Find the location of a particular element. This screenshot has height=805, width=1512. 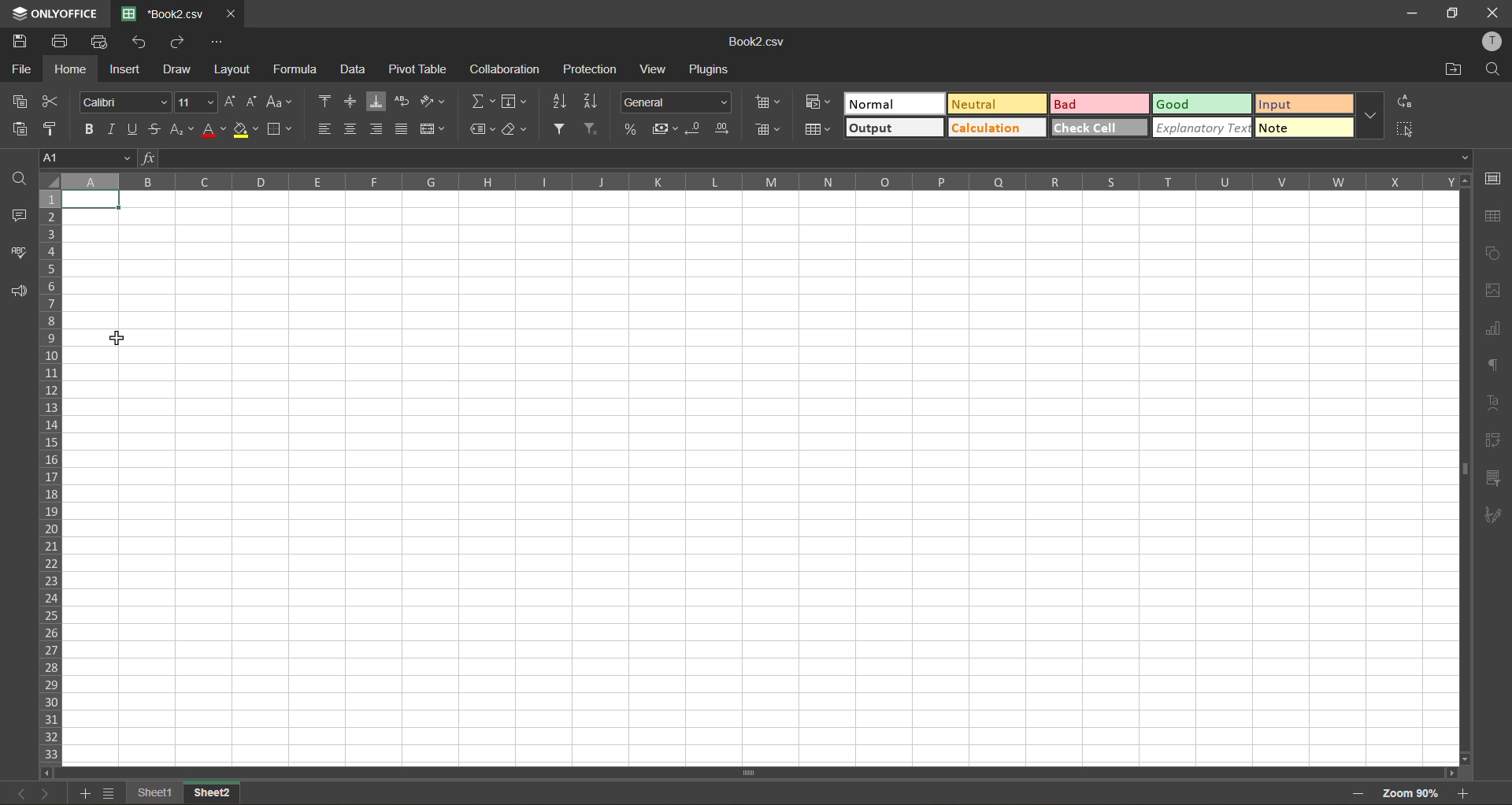

delete cells is located at coordinates (767, 132).